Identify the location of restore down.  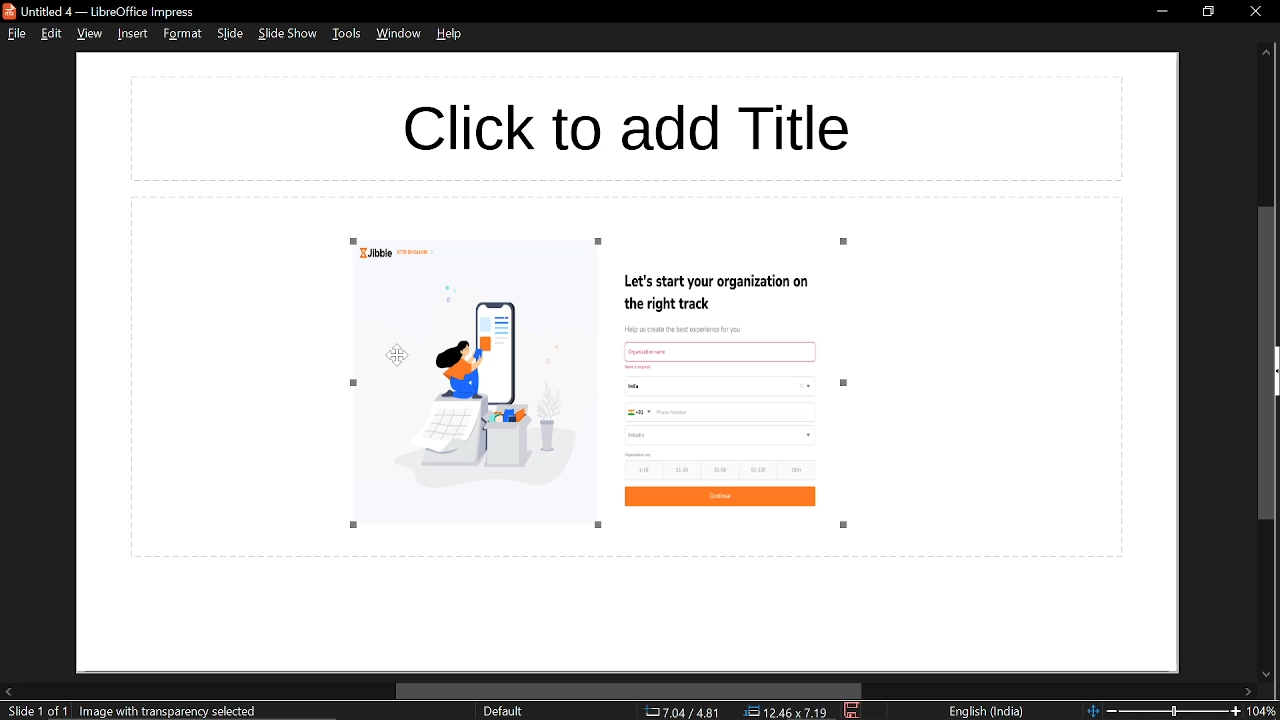
(1210, 12).